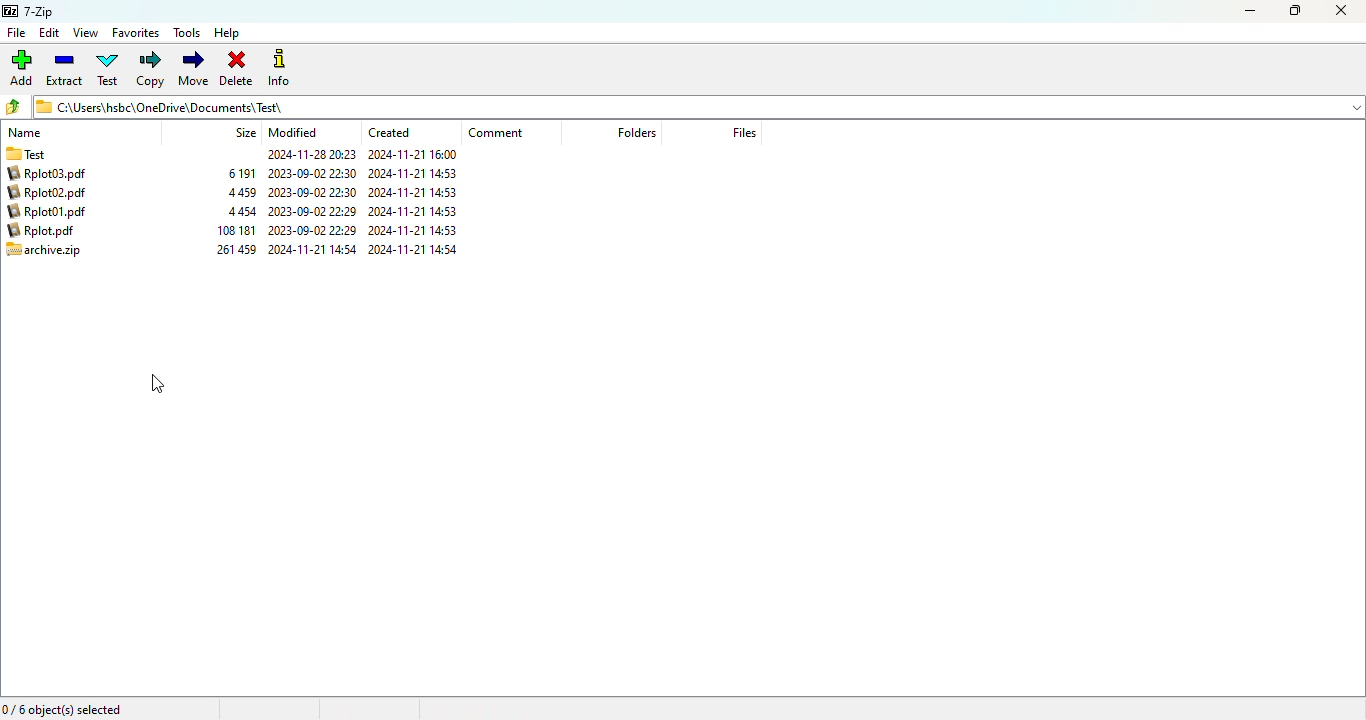  I want to click on comment, so click(496, 133).